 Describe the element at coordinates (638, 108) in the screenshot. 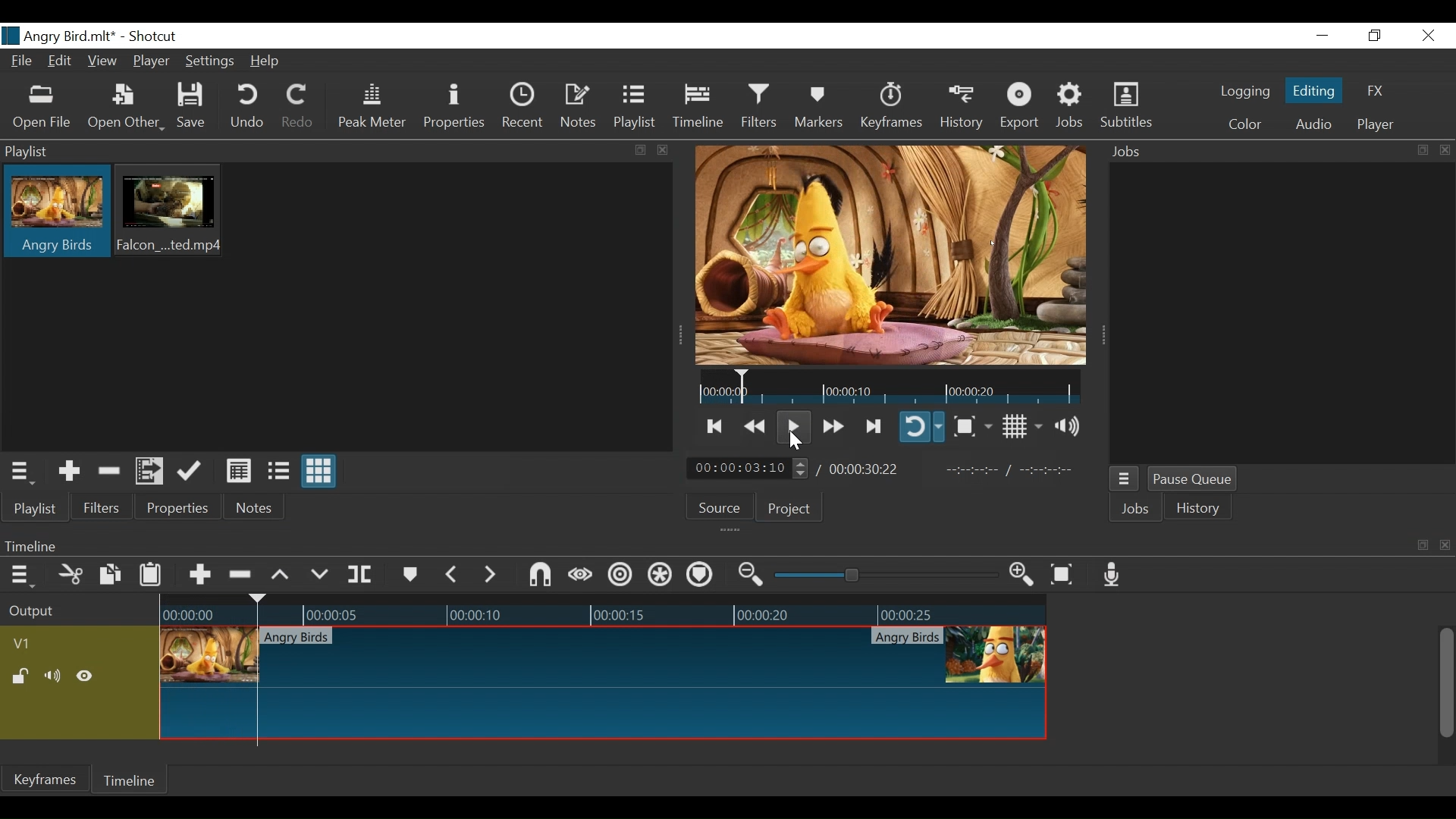

I see `Playlist` at that location.